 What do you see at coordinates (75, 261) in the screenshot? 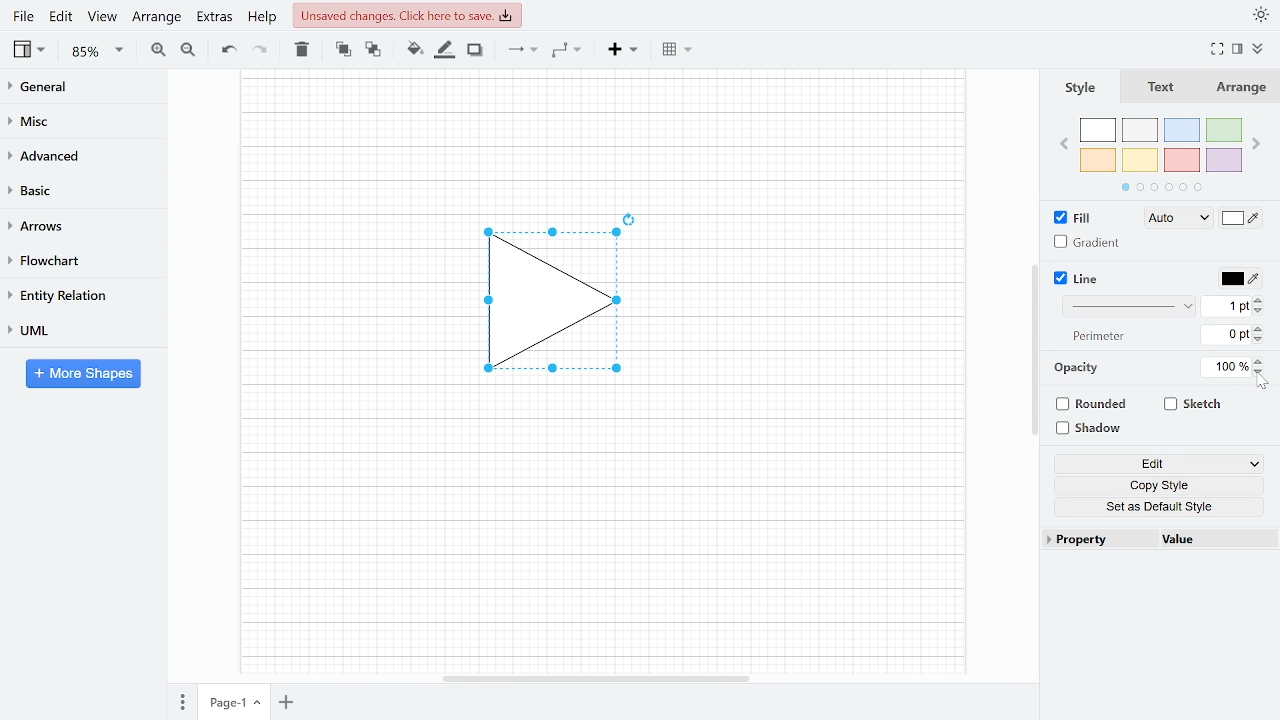
I see `Flowchart` at bounding box center [75, 261].